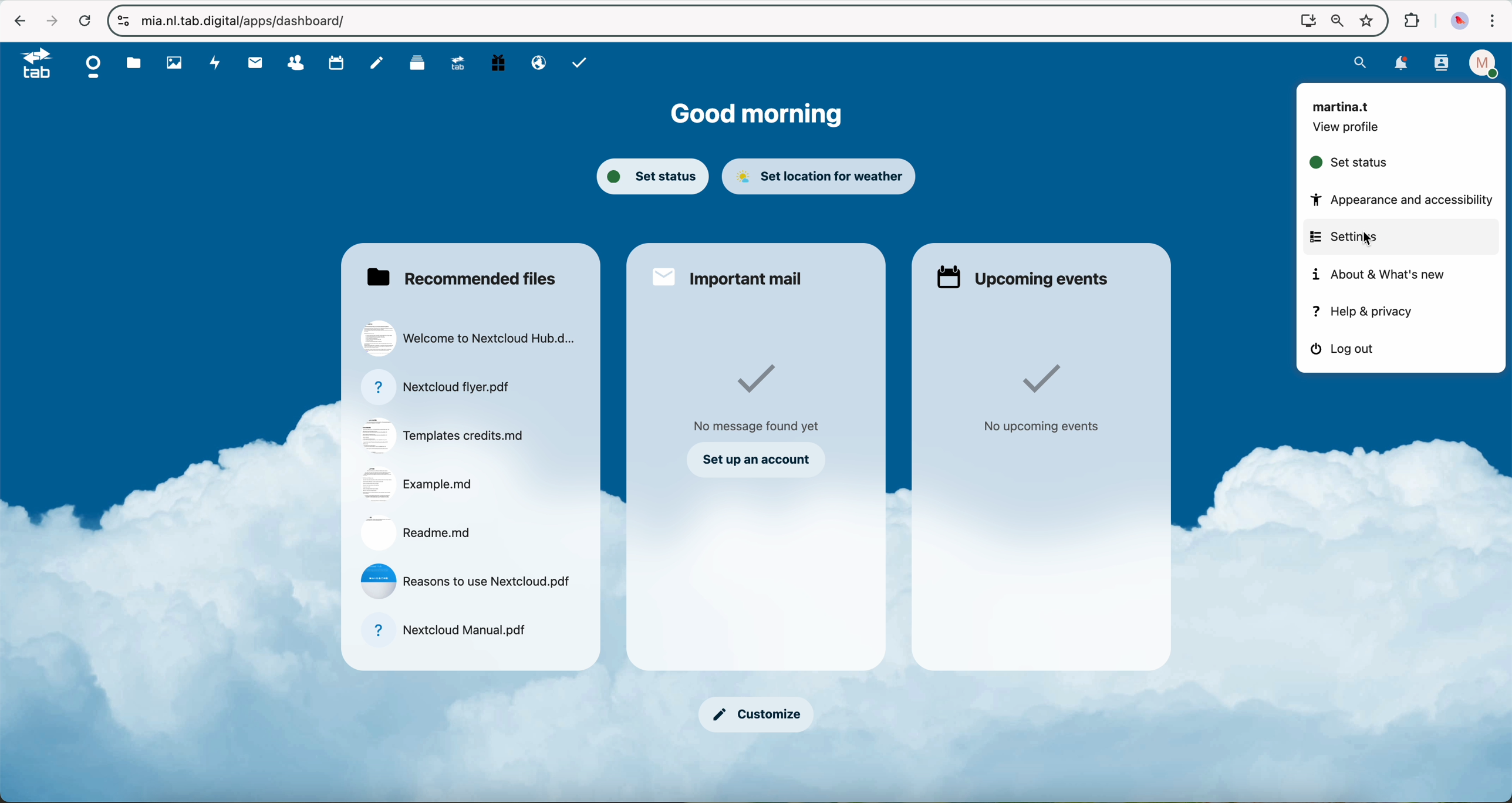  What do you see at coordinates (173, 63) in the screenshot?
I see `photos` at bounding box center [173, 63].